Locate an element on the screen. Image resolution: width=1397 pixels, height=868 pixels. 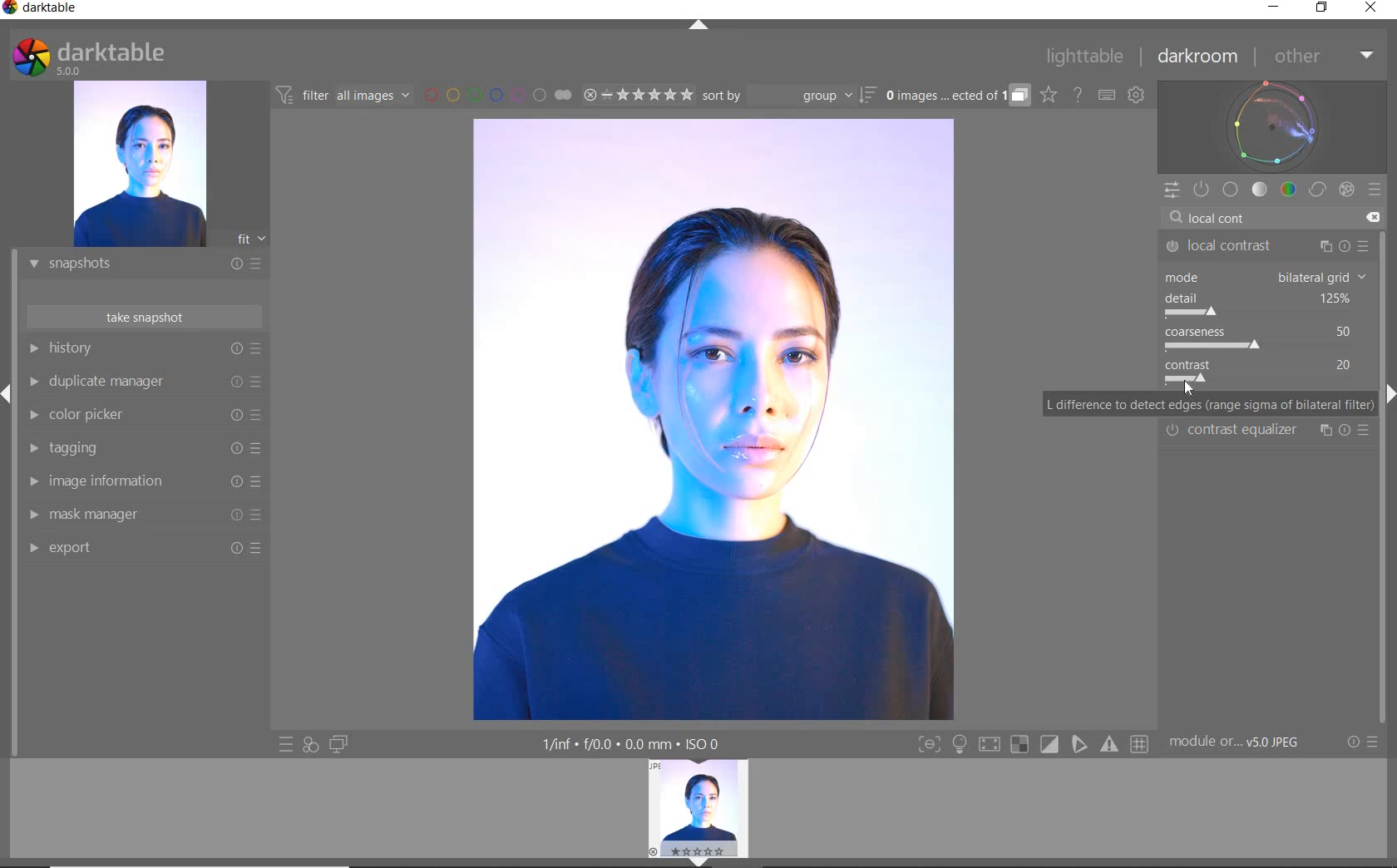
OTHER is located at coordinates (1322, 57).